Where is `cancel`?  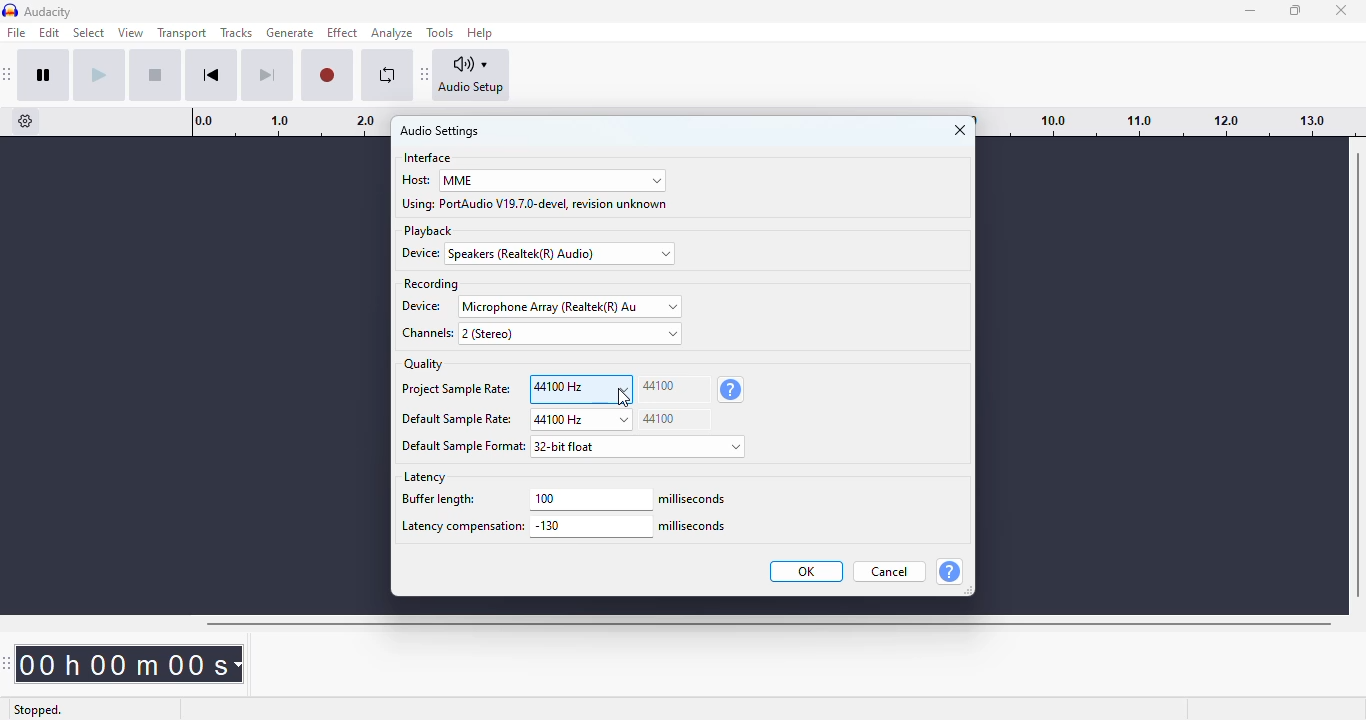 cancel is located at coordinates (890, 571).